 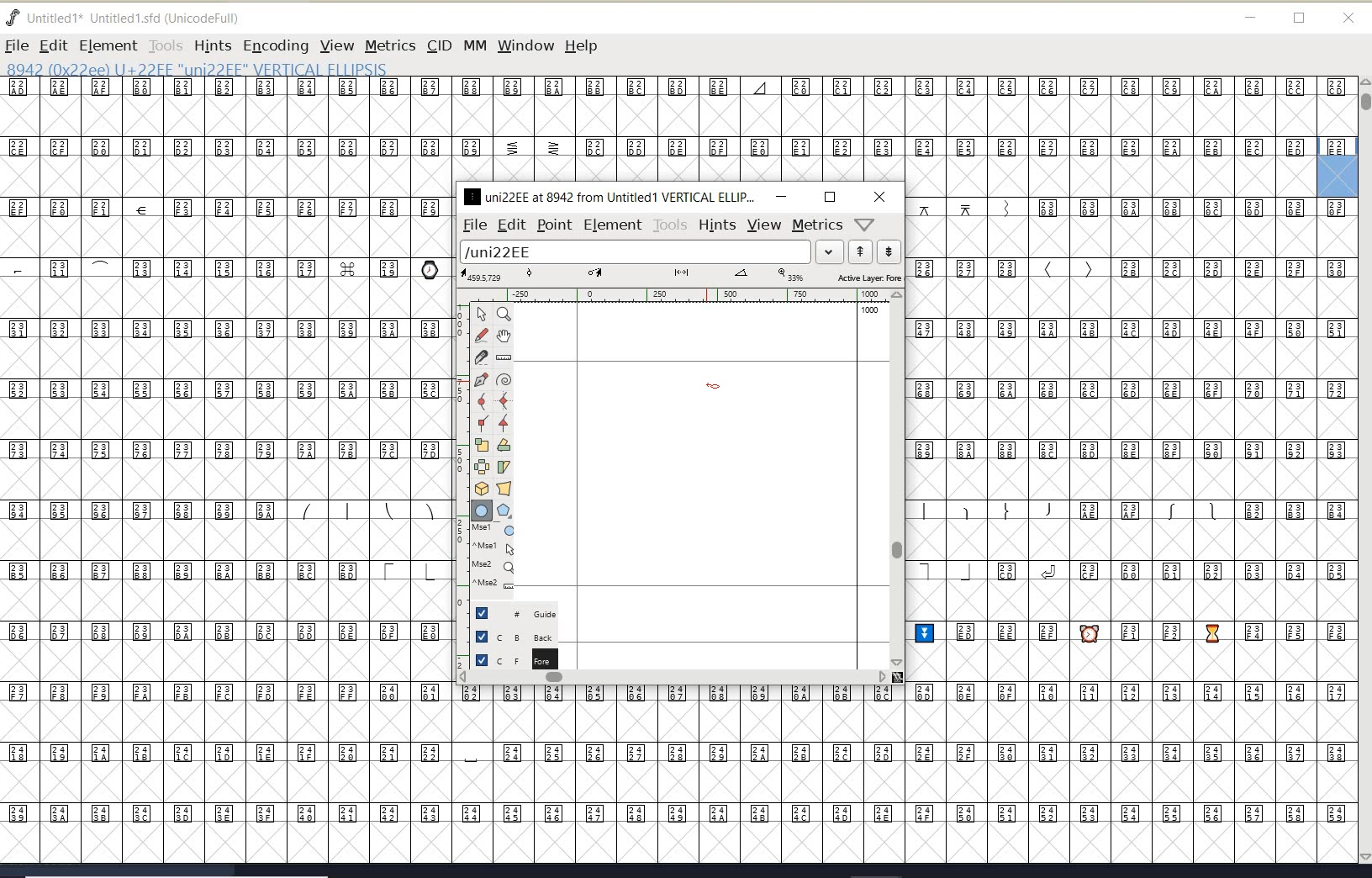 What do you see at coordinates (830, 197) in the screenshot?
I see `restore` at bounding box center [830, 197].